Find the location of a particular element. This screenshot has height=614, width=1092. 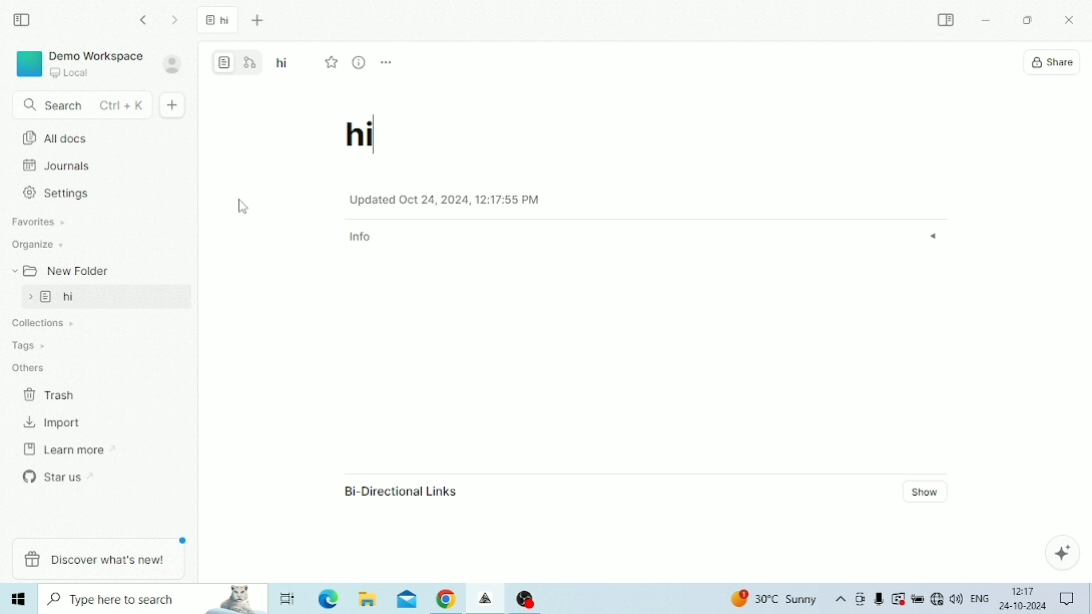

Collections is located at coordinates (38, 324).